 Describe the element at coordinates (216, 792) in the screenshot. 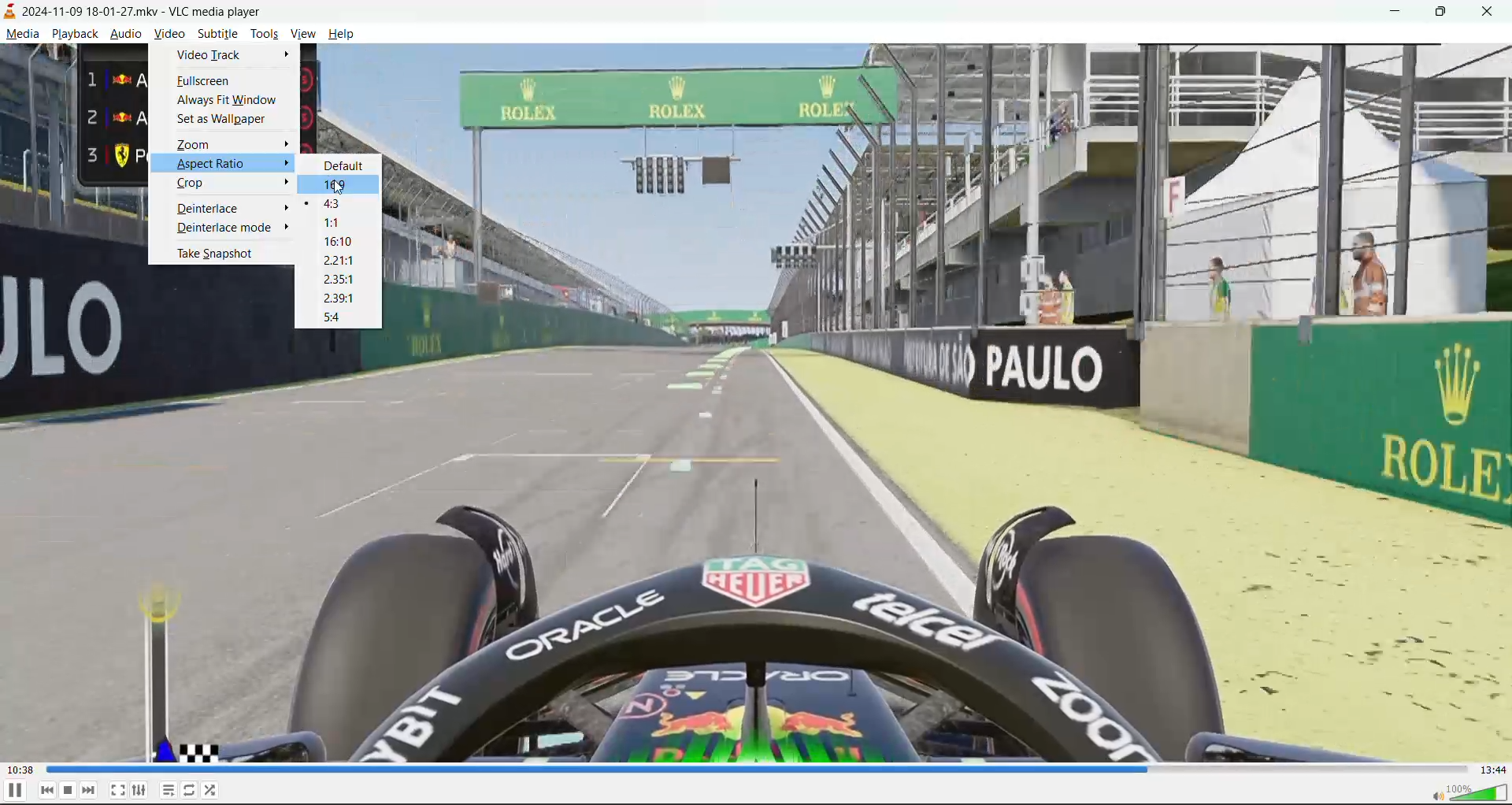

I see `random` at that location.